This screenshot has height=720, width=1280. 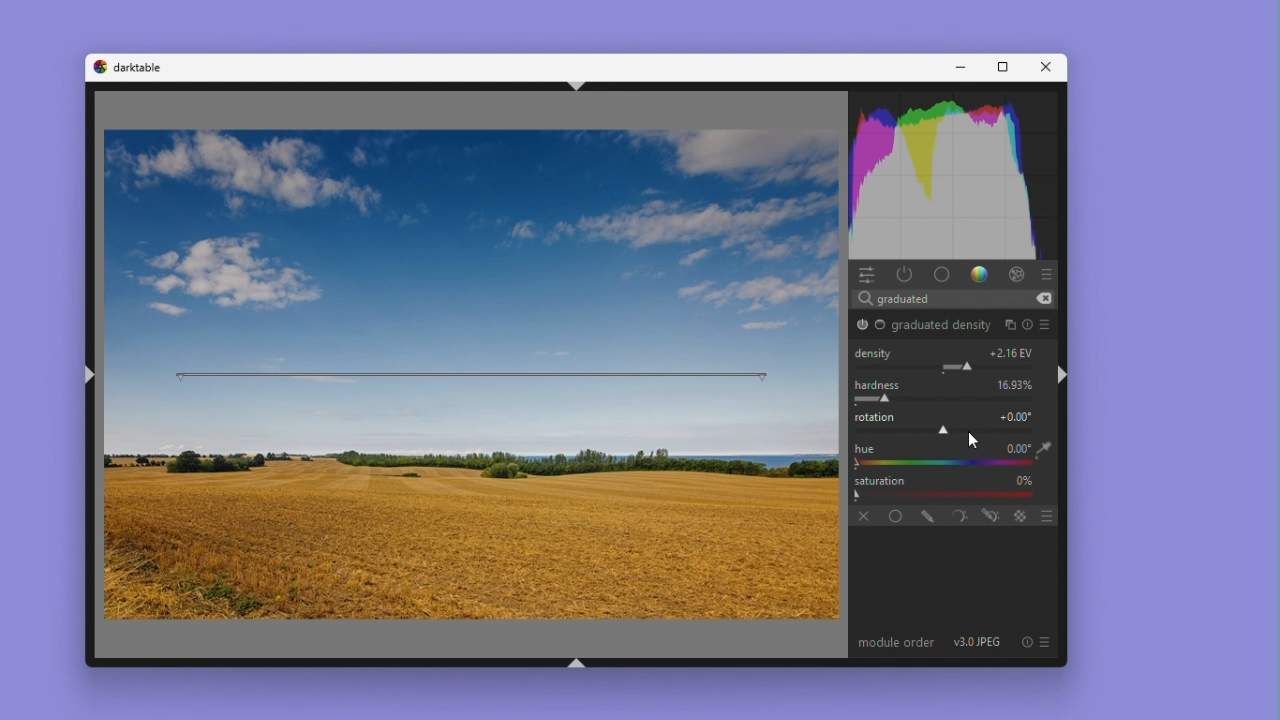 What do you see at coordinates (956, 172) in the screenshot?
I see `Histogram` at bounding box center [956, 172].